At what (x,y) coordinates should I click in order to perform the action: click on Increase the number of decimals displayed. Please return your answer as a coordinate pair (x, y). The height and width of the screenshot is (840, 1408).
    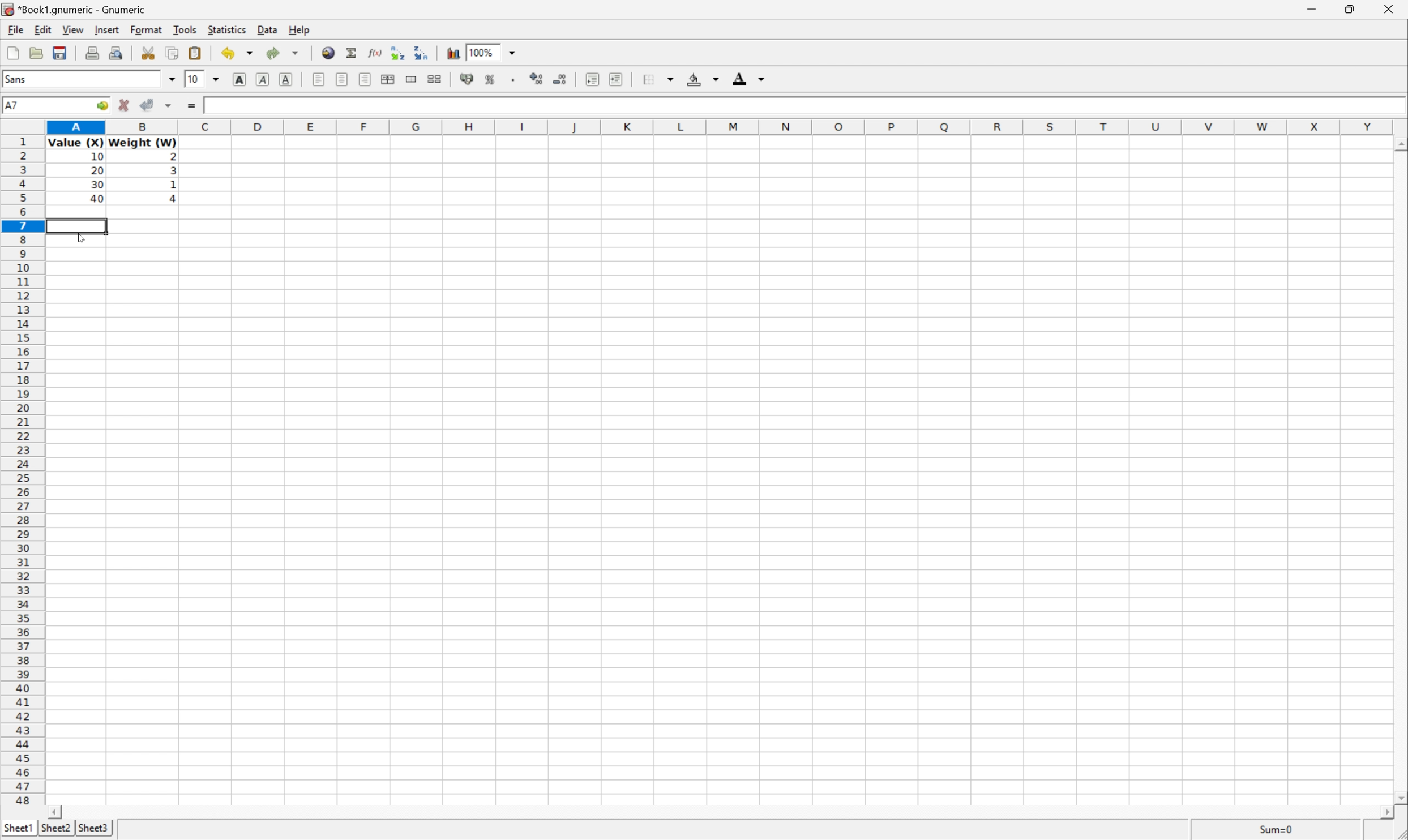
    Looking at the image, I should click on (537, 77).